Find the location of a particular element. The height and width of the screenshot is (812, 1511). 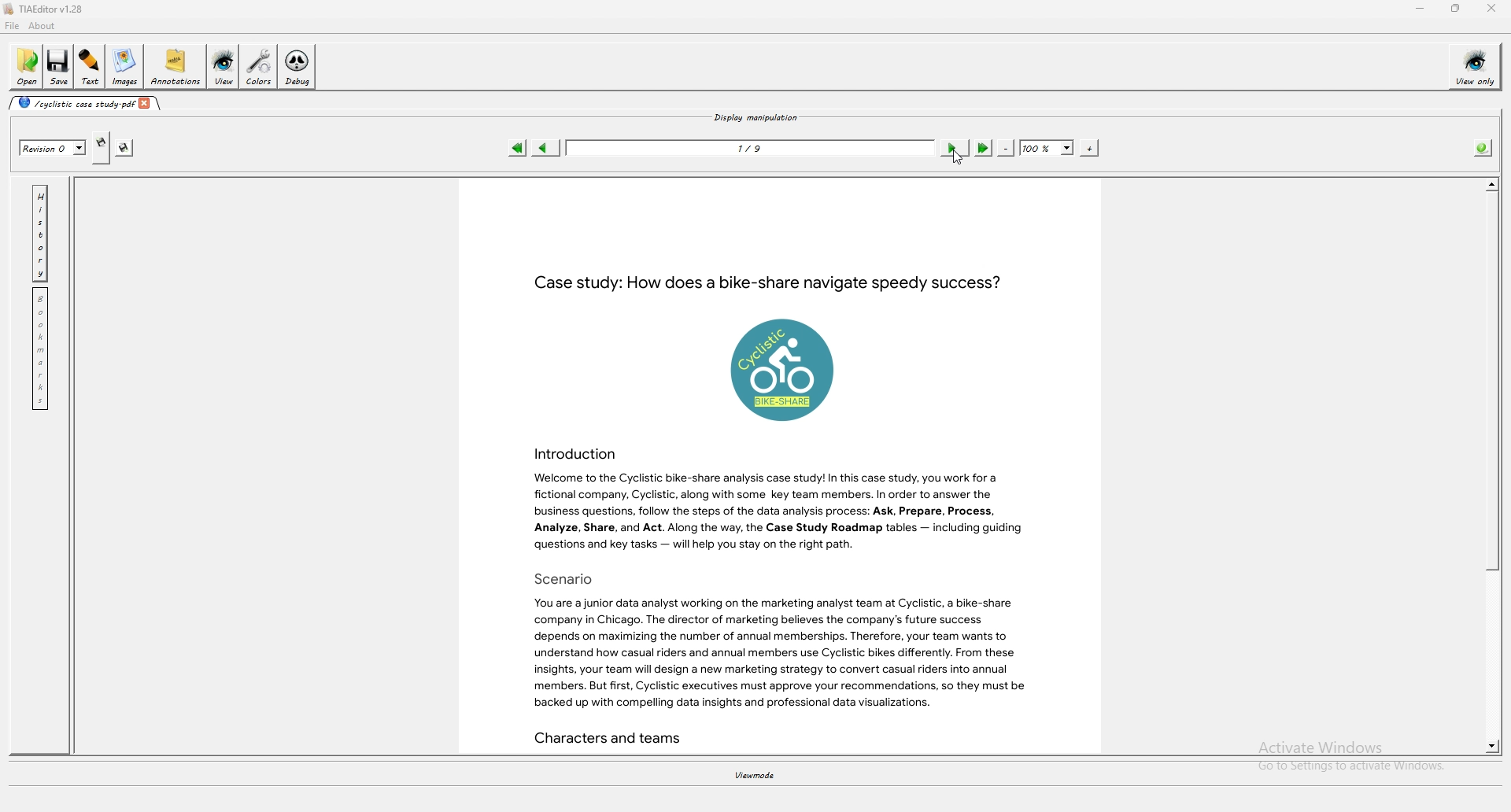

You are a junior data analyst working on the marketing analyst team at Cyclistic, a bike-share
company in Chicago. The director of marketing believes the company's future success
depends on maximizing the number of annual memberships. Therefore, your team wants to
understand how casual riders and annual members use Cyclistic bikes differently. From these
insights, your team will design a new marketing strategy to convert casual riders into annual
members. But first, Cyclistic executives must approve your recommendations, so they must be
backed up with compelling data insights and professional data visualizations. is located at coordinates (773, 653).